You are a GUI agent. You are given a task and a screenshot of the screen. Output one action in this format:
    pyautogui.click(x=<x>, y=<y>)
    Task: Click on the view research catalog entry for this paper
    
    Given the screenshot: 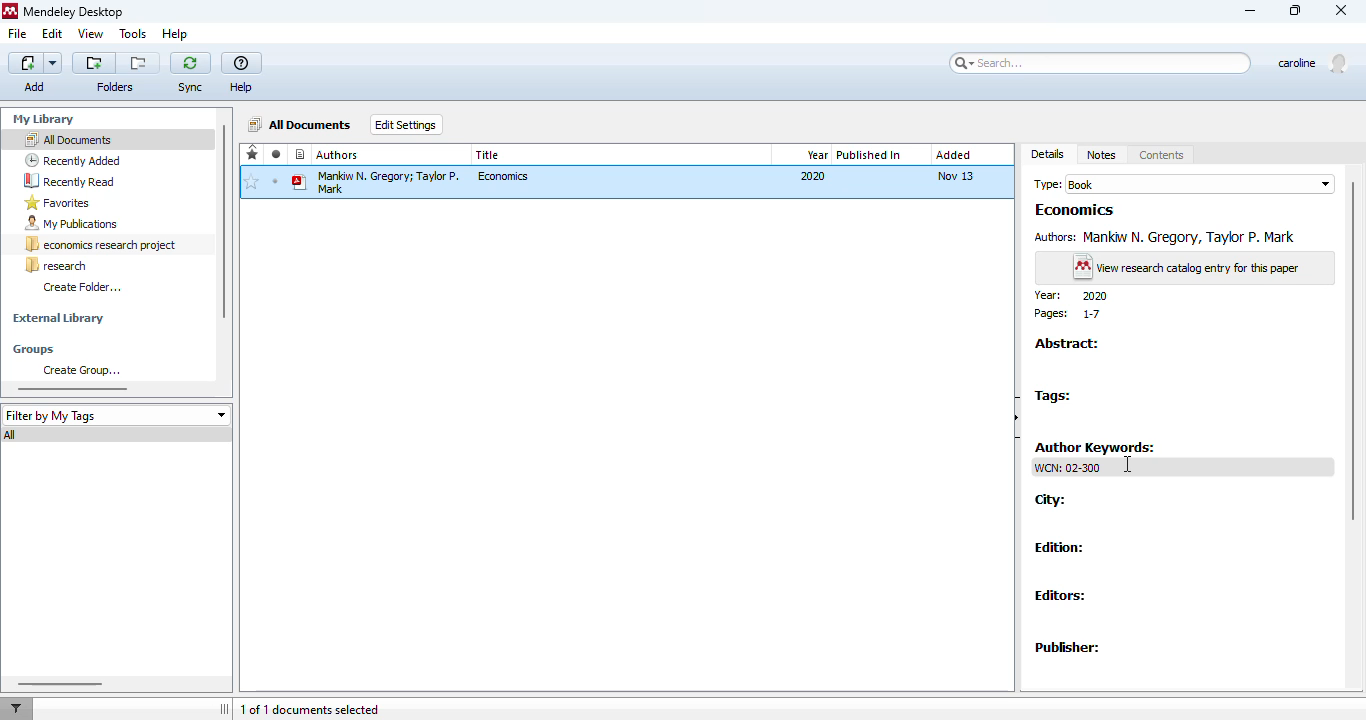 What is the action you would take?
    pyautogui.click(x=1186, y=267)
    